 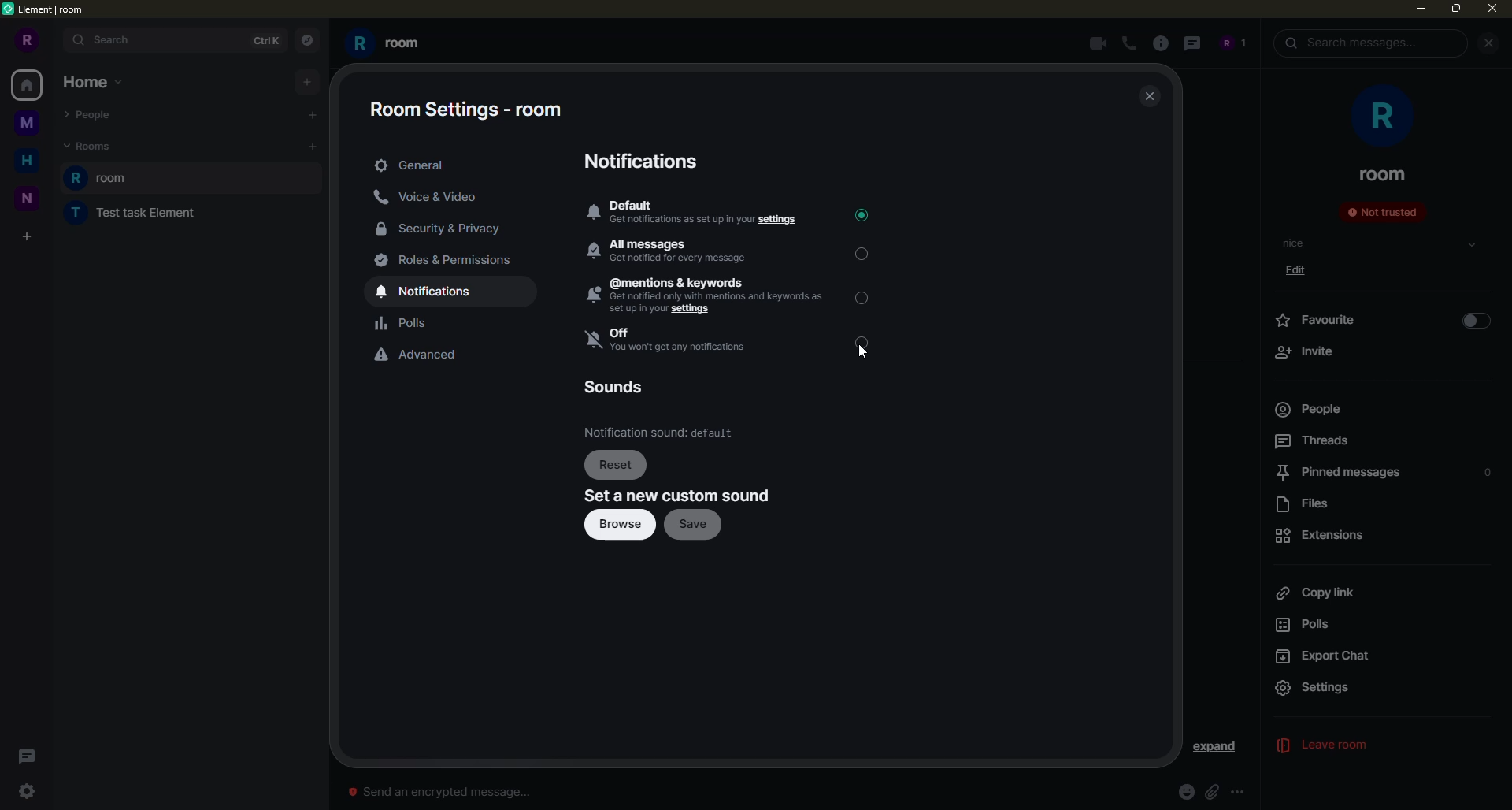 What do you see at coordinates (865, 353) in the screenshot?
I see `Cursor` at bounding box center [865, 353].